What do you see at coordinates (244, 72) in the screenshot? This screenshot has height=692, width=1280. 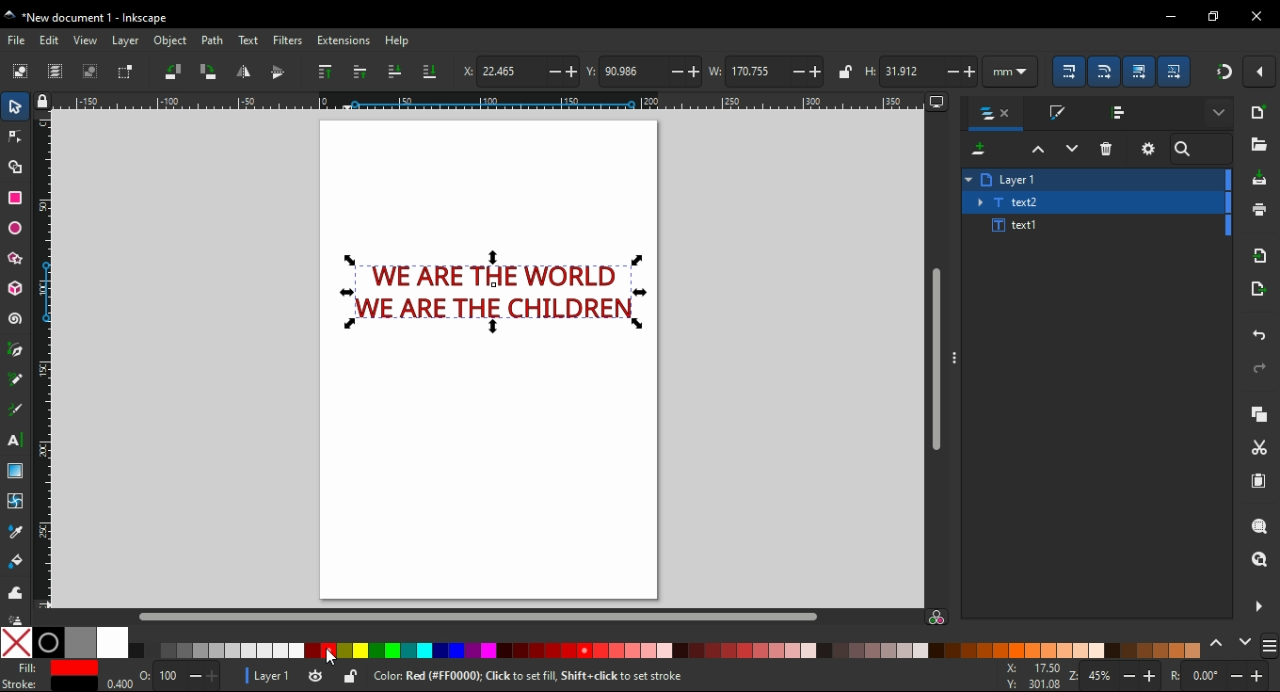 I see `flip horizontal` at bounding box center [244, 72].